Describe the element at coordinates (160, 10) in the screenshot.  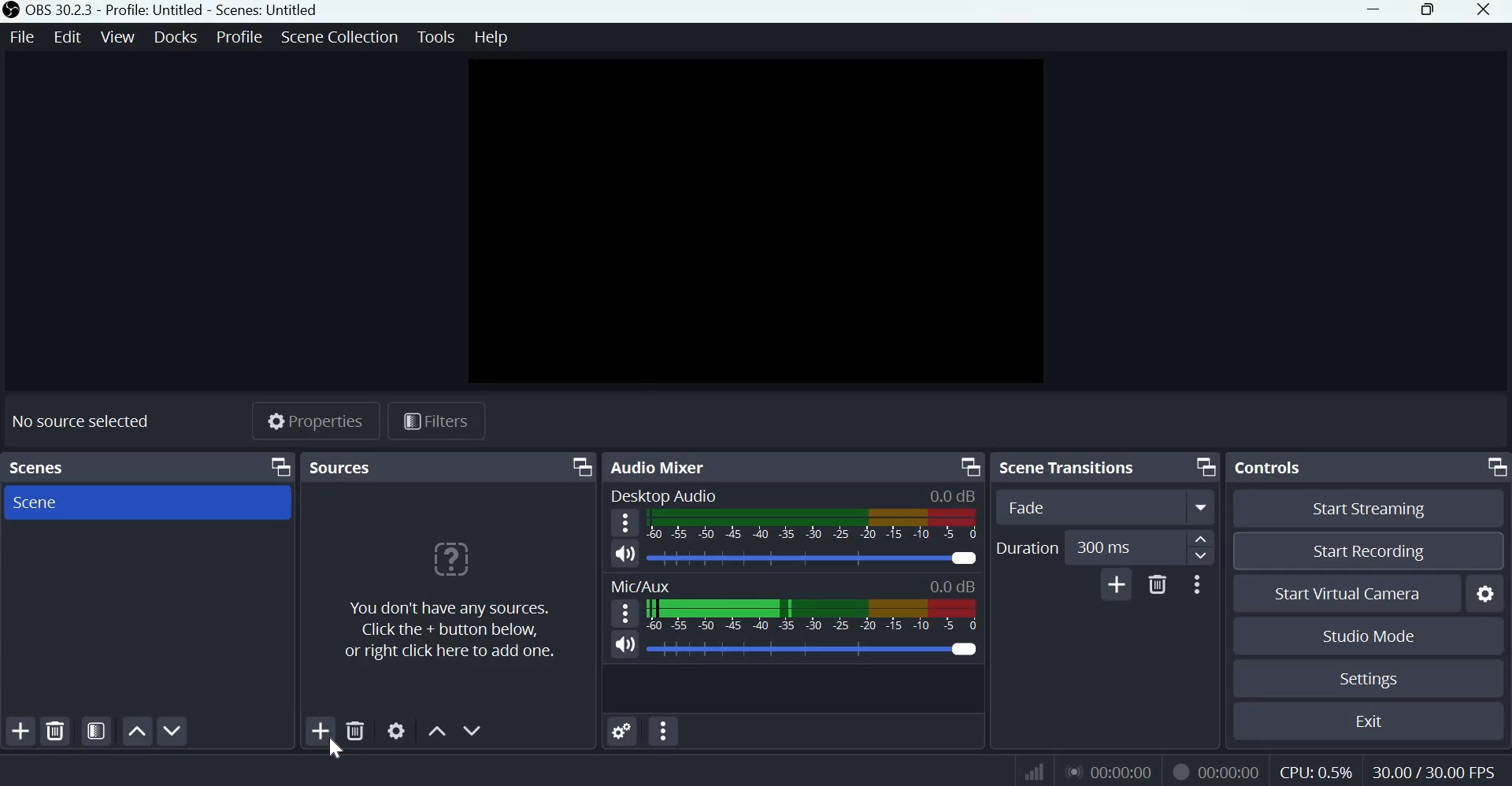
I see `OBS 30.2.3 - Profile: Untitled - Scenes: Untitled` at that location.